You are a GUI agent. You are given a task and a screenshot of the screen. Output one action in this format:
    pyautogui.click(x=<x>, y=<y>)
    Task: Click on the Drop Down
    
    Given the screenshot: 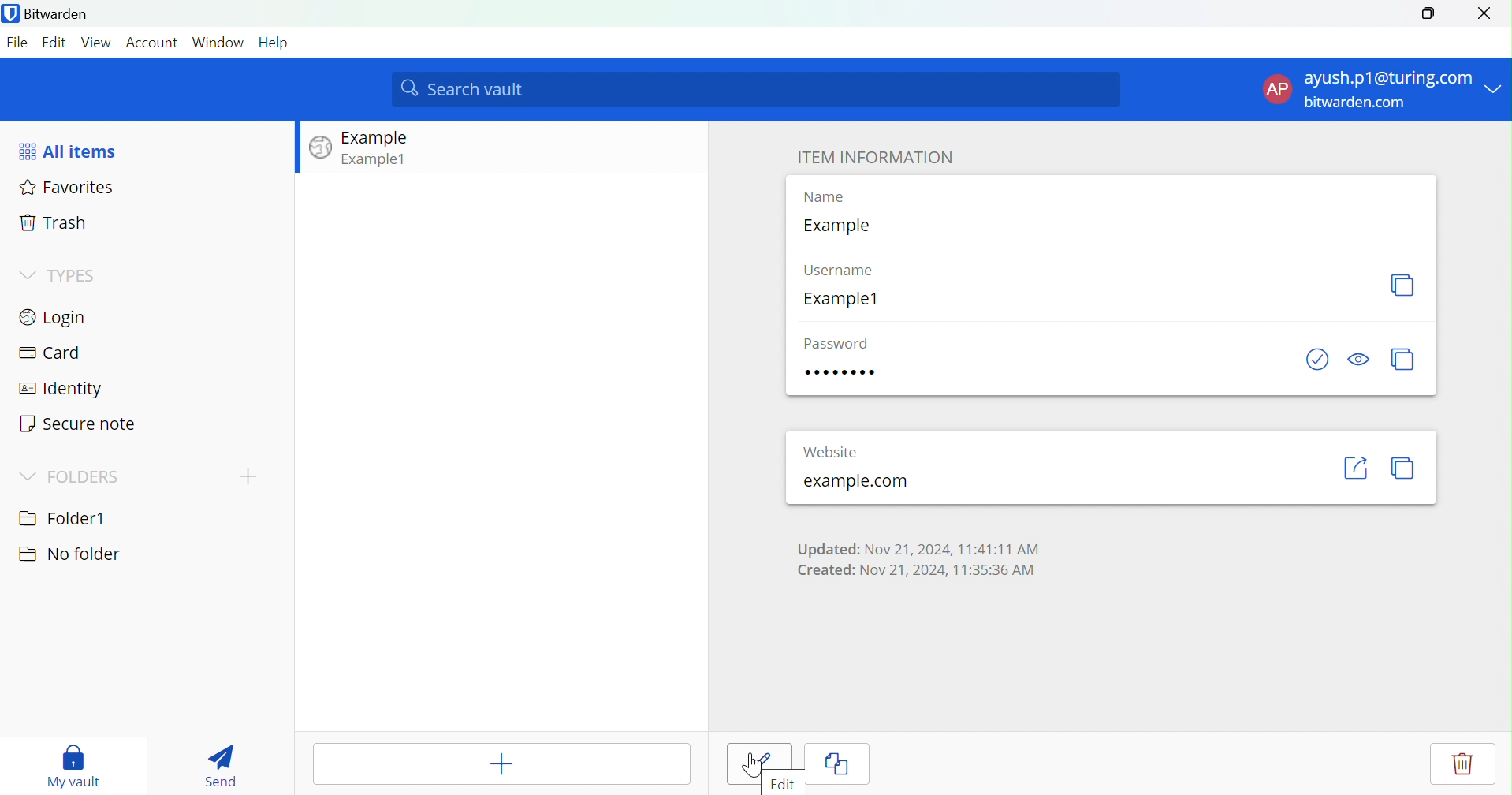 What is the action you would take?
    pyautogui.click(x=25, y=274)
    